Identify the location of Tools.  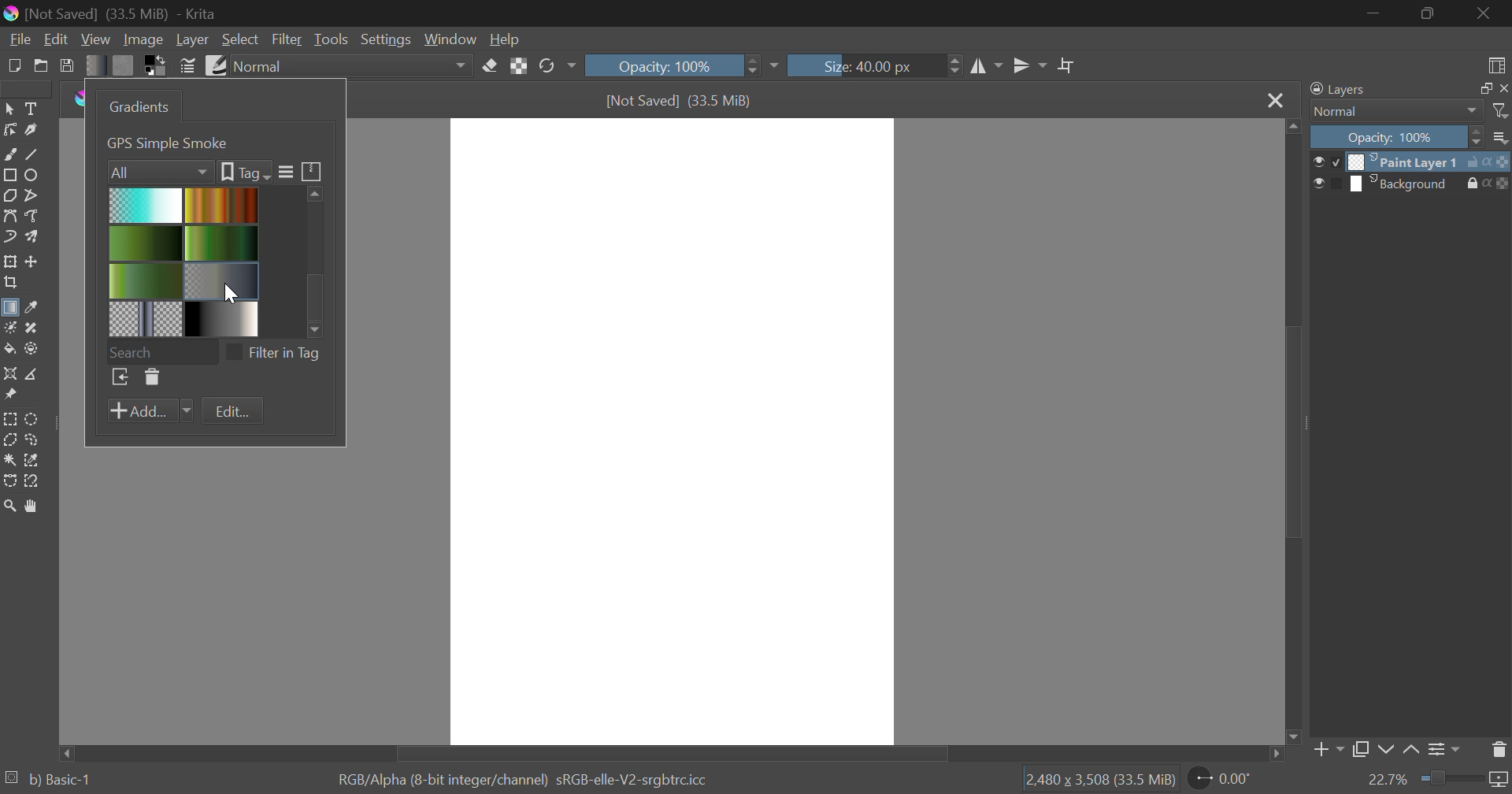
(331, 39).